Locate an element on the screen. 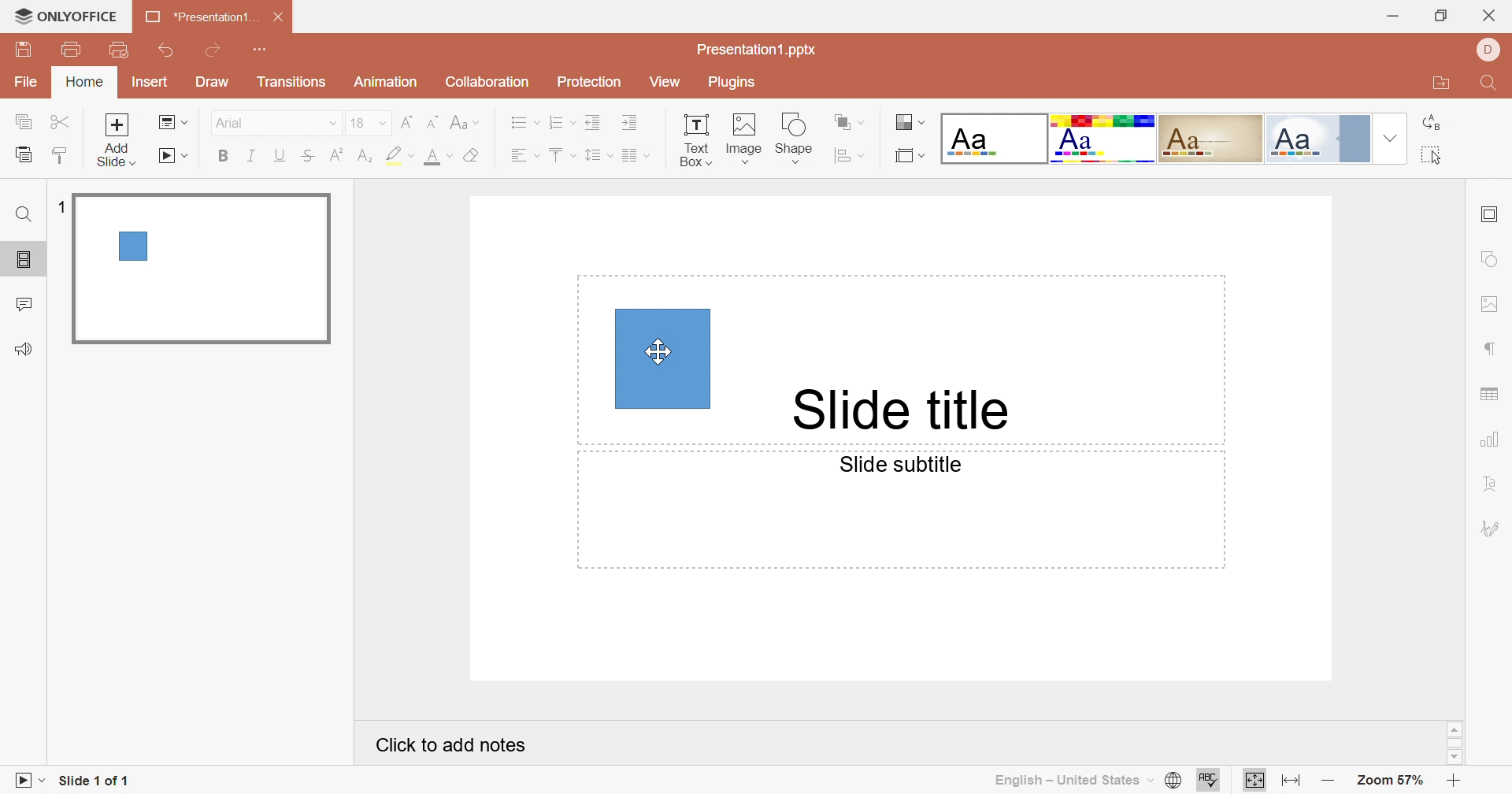  Find is located at coordinates (23, 217).